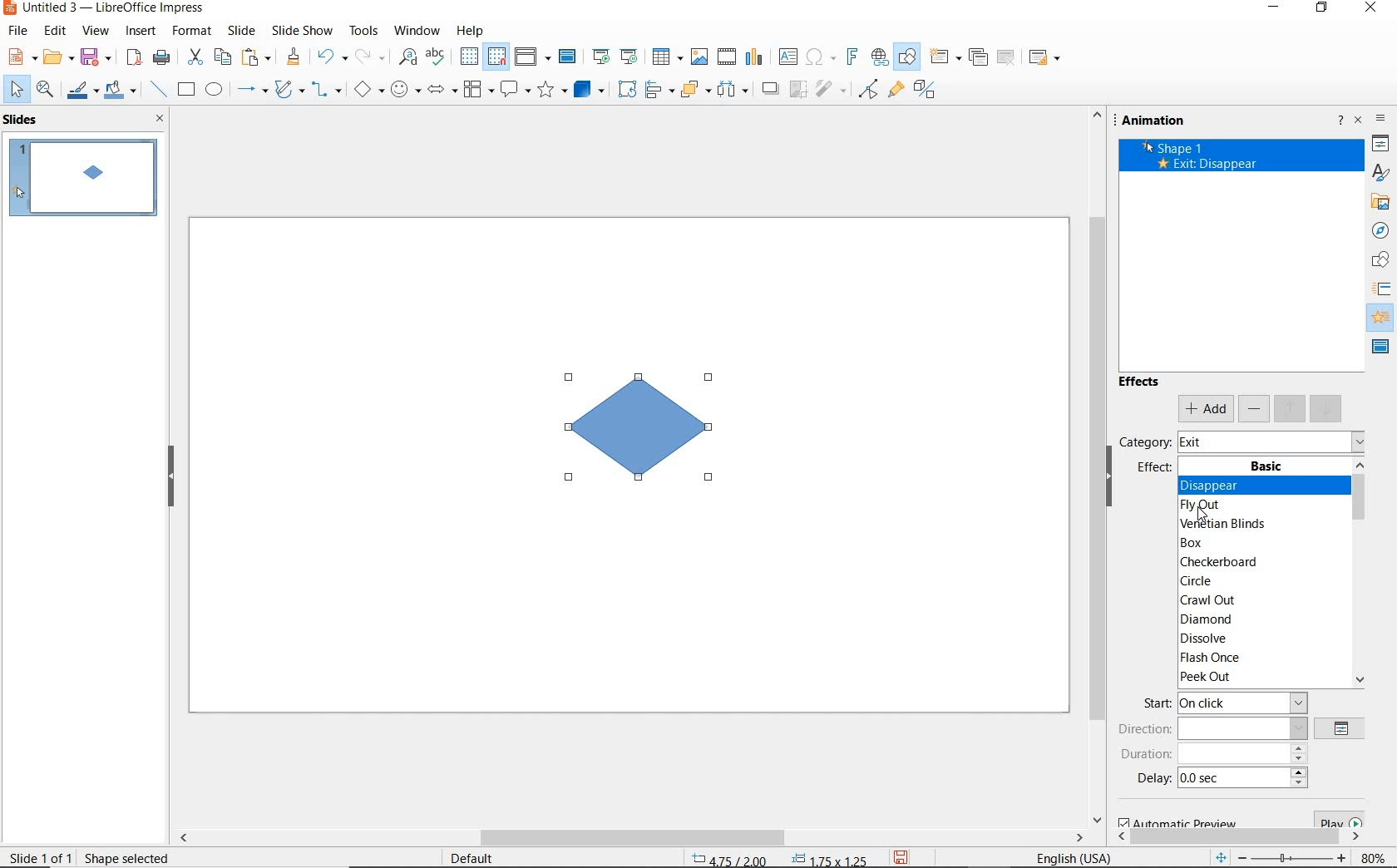 This screenshot has height=868, width=1397. What do you see at coordinates (770, 89) in the screenshot?
I see `shadow` at bounding box center [770, 89].